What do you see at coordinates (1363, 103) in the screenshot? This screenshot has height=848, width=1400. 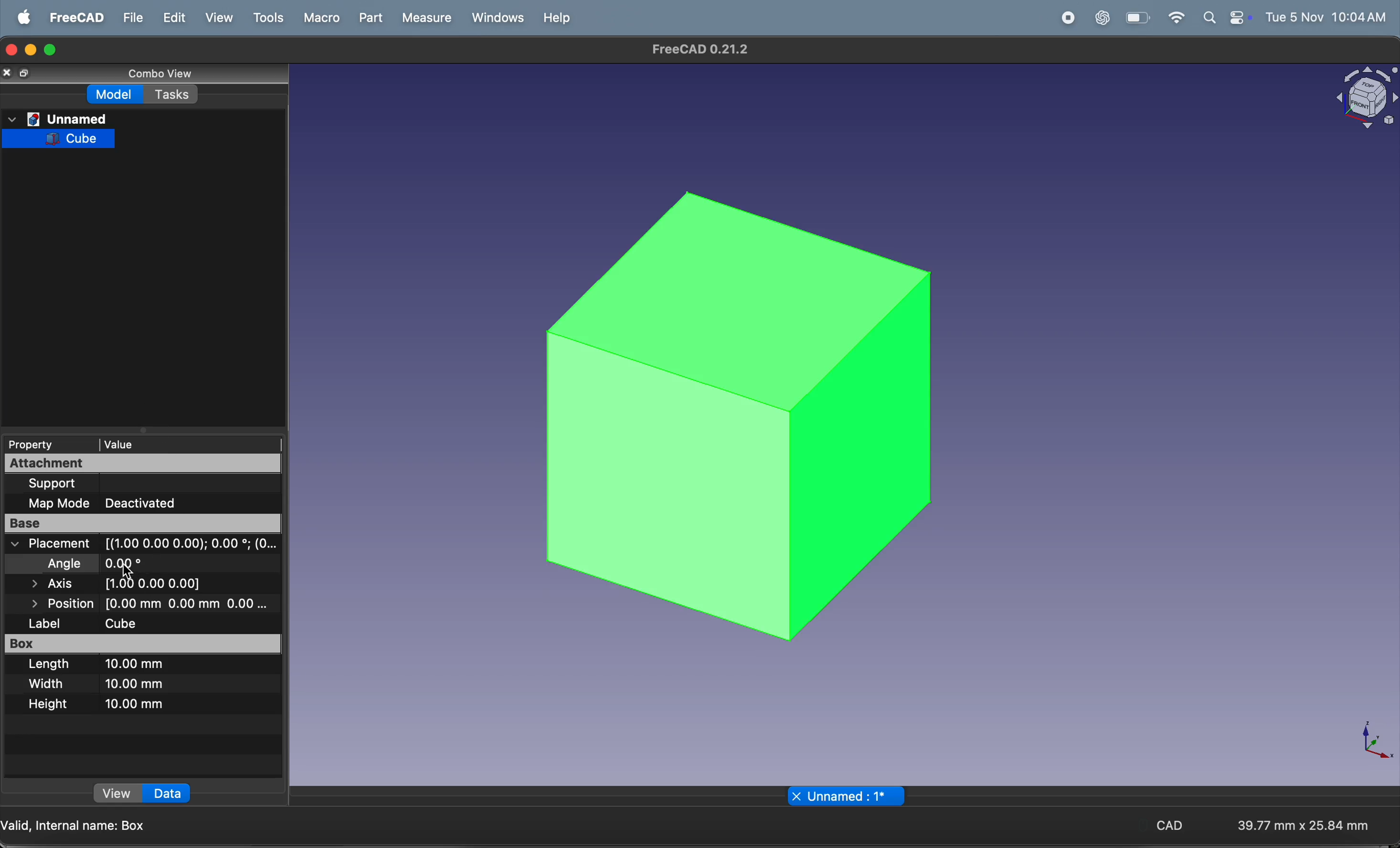 I see `` at bounding box center [1363, 103].